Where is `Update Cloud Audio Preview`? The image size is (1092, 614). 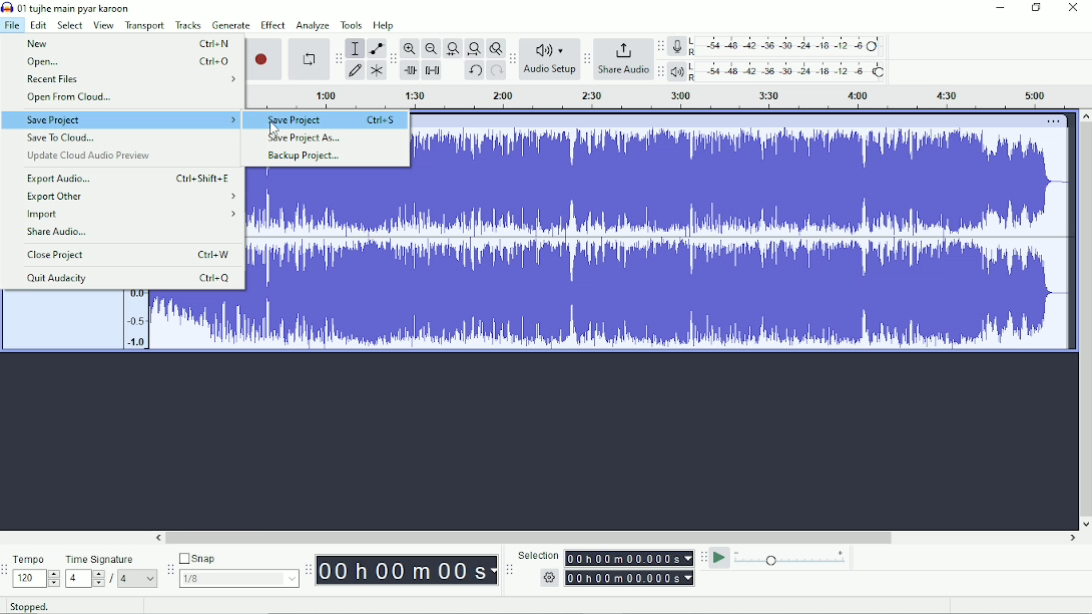
Update Cloud Audio Preview is located at coordinates (95, 157).